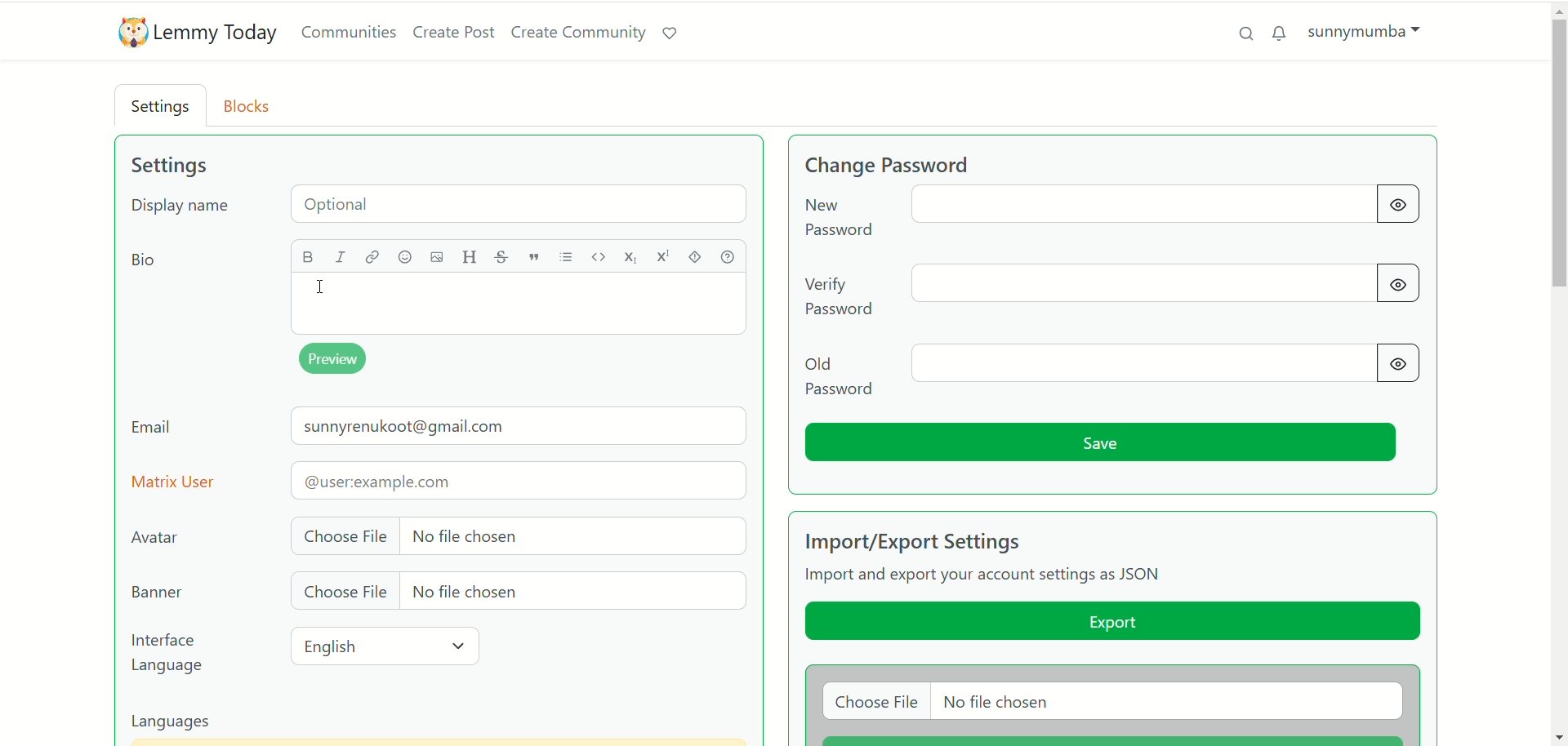 This screenshot has height=746, width=1568. I want to click on subscript, so click(631, 259).